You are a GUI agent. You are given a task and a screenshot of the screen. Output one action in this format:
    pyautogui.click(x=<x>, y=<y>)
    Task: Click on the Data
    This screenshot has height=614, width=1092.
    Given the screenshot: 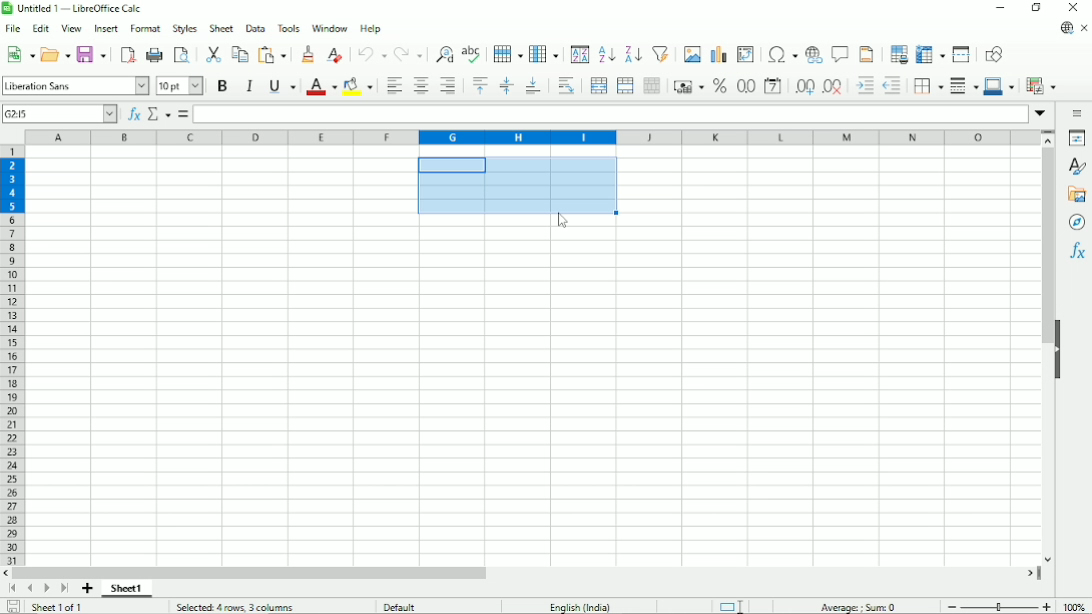 What is the action you would take?
    pyautogui.click(x=256, y=27)
    